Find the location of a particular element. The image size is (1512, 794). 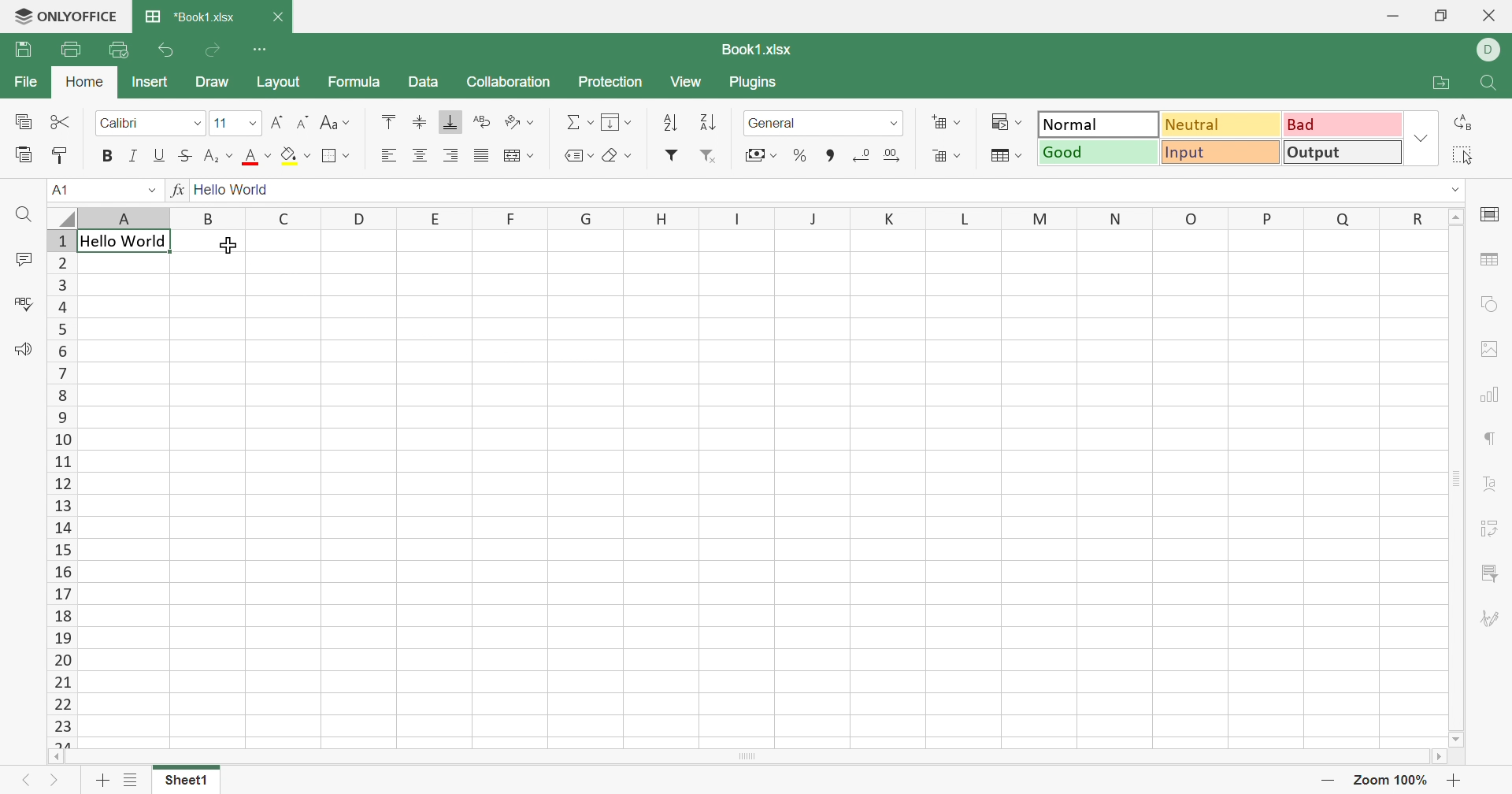

Pivot table settings is located at coordinates (1488, 530).